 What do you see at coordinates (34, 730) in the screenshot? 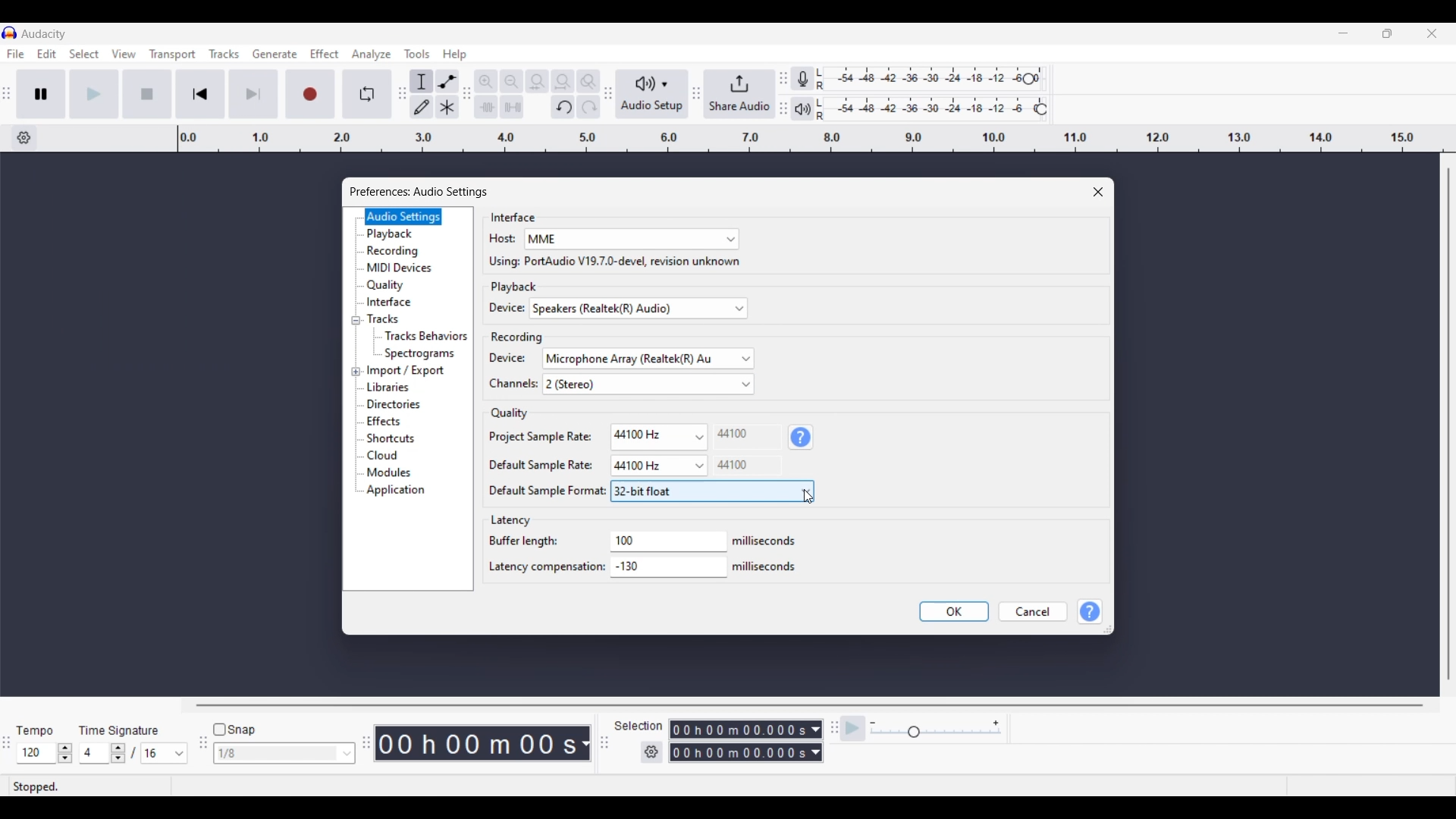
I see `Tempo` at bounding box center [34, 730].